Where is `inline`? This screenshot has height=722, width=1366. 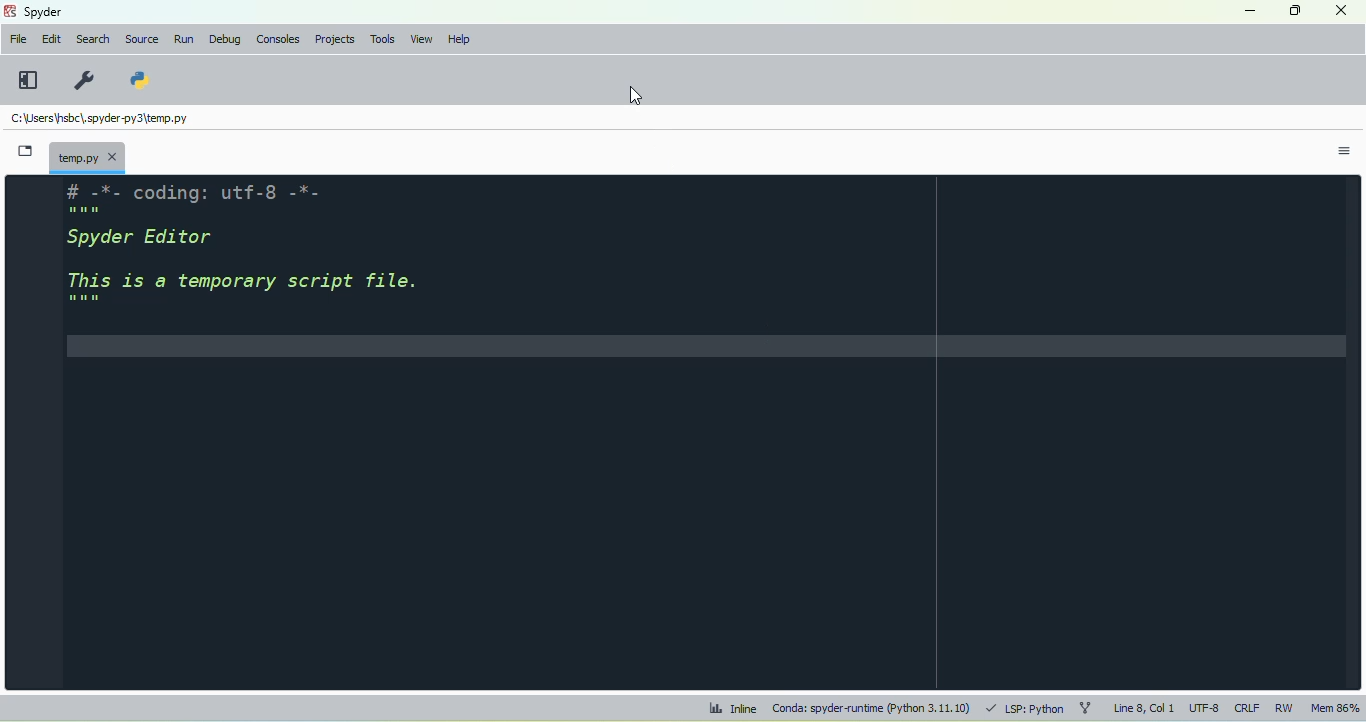
inline is located at coordinates (732, 708).